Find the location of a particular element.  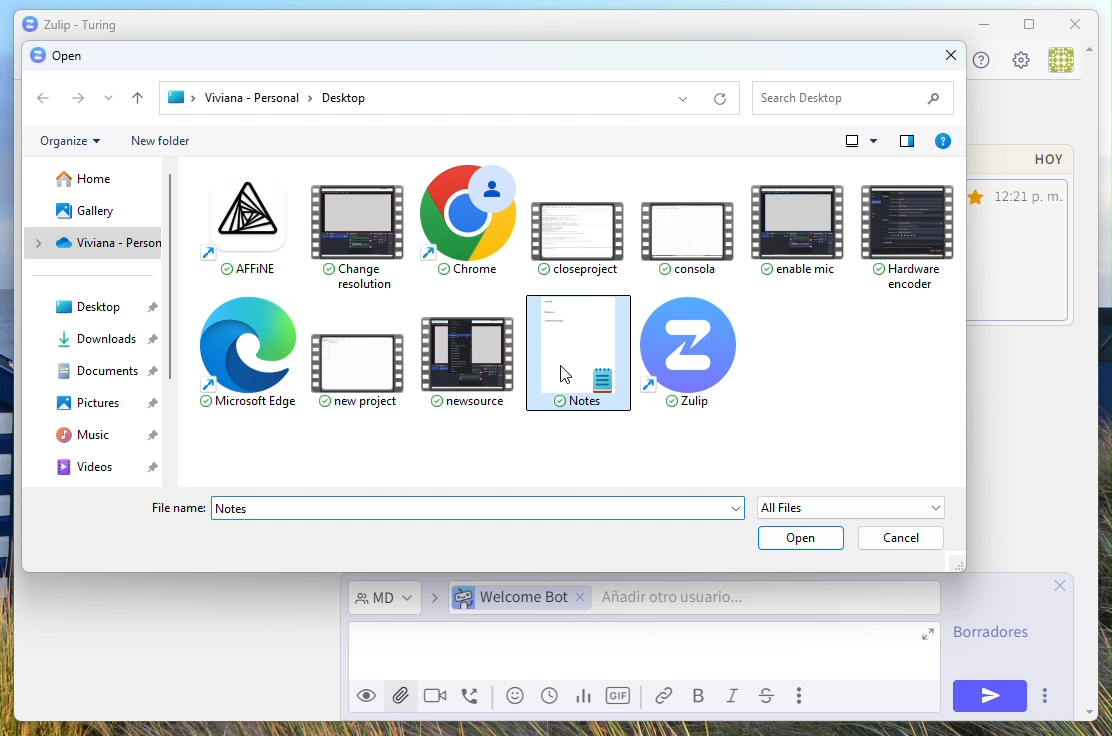

italic is located at coordinates (736, 698).